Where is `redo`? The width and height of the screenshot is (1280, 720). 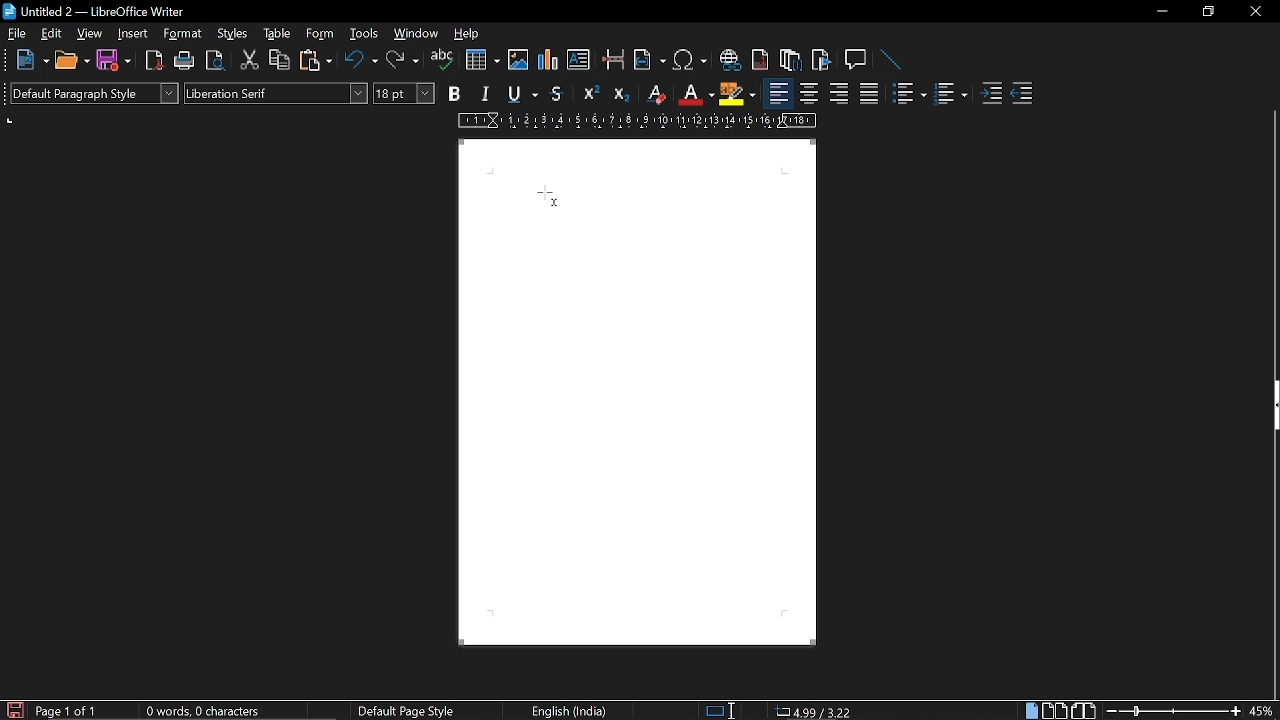 redo is located at coordinates (402, 62).